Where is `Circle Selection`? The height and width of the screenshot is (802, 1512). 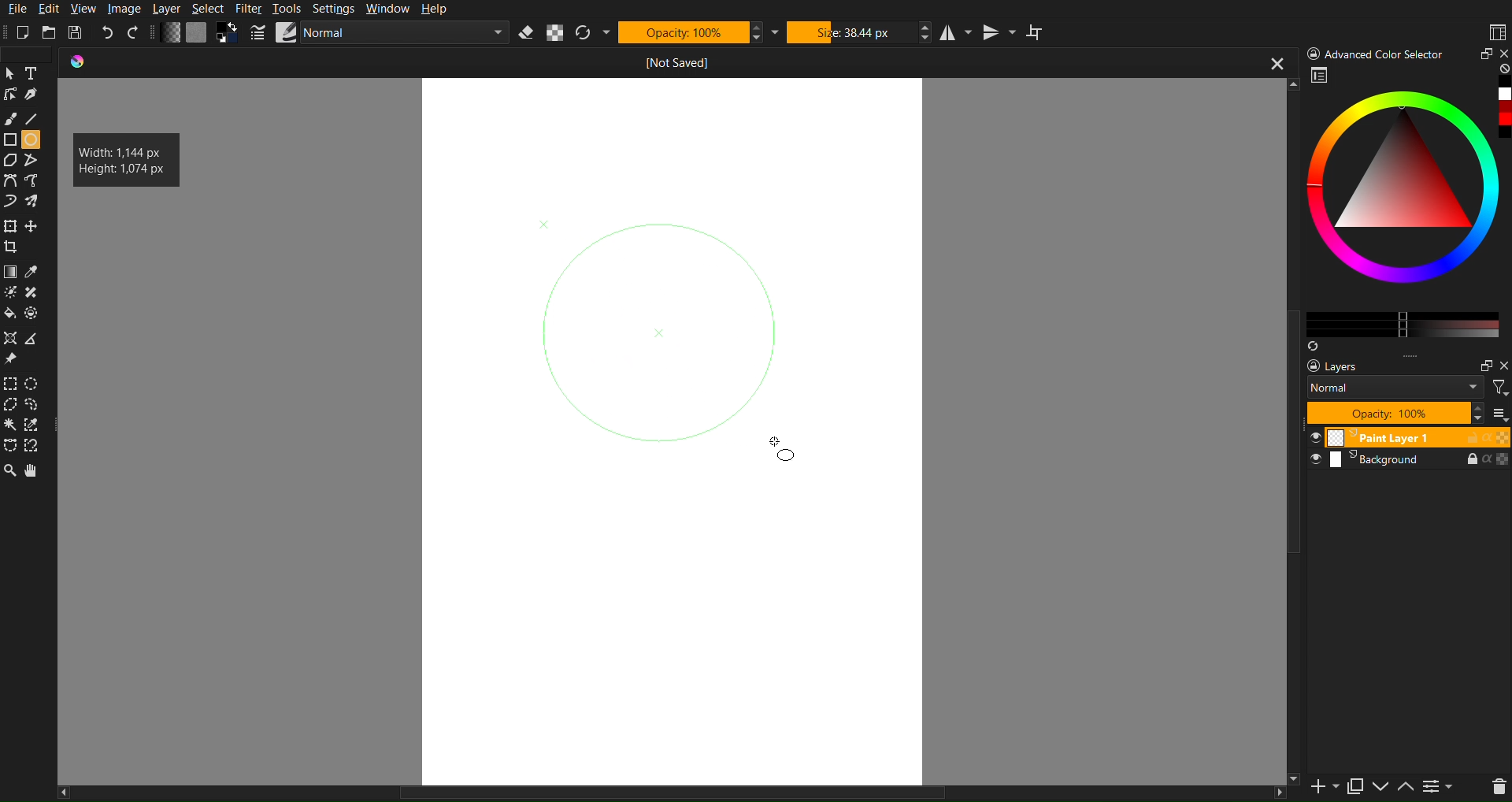
Circle Selection is located at coordinates (680, 339).